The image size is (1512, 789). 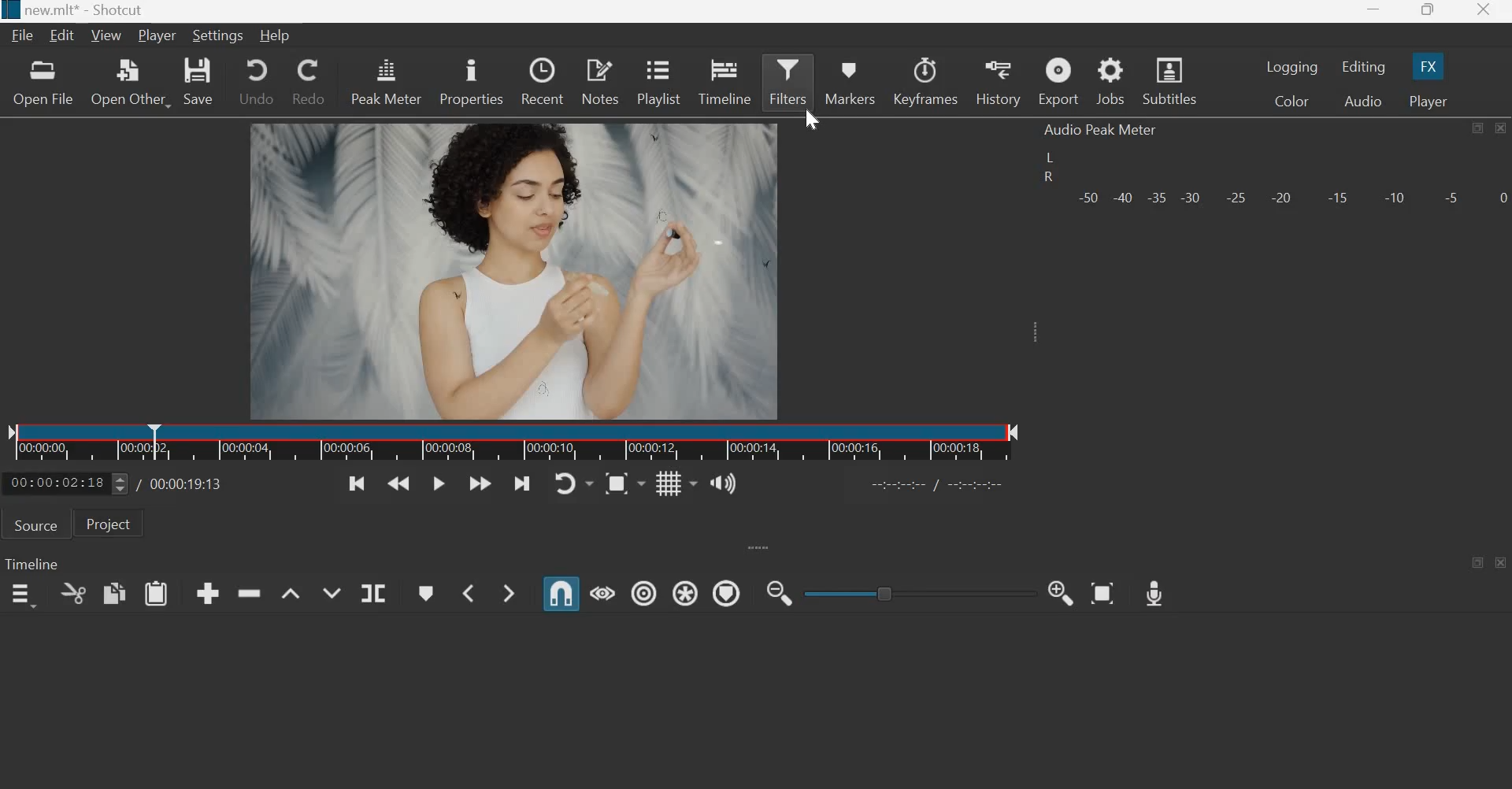 I want to click on Ripple all tracks, so click(x=685, y=591).